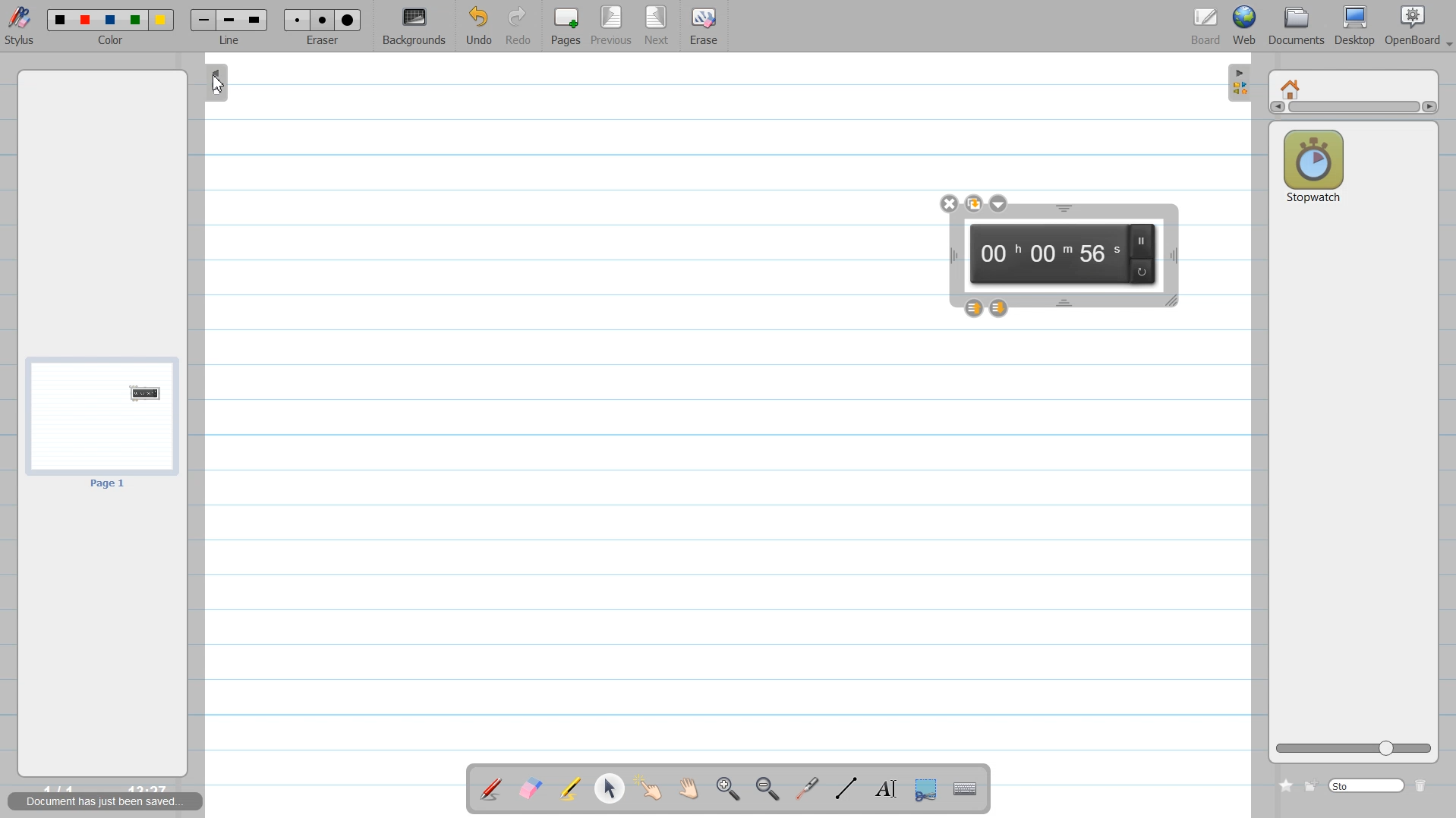  I want to click on Web, so click(1245, 26).